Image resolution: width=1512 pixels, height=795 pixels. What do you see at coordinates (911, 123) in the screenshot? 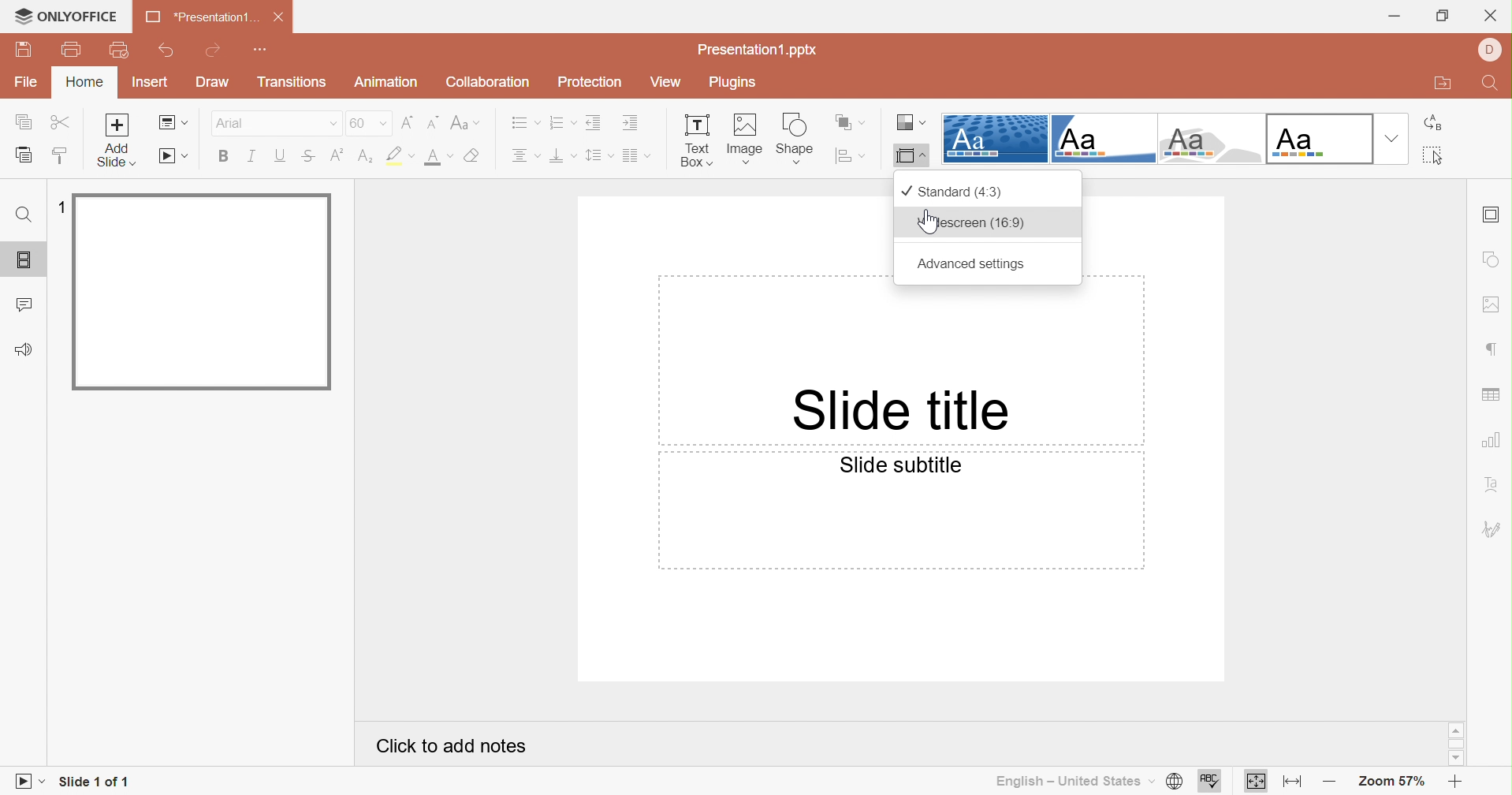
I see `Change color theme` at bounding box center [911, 123].